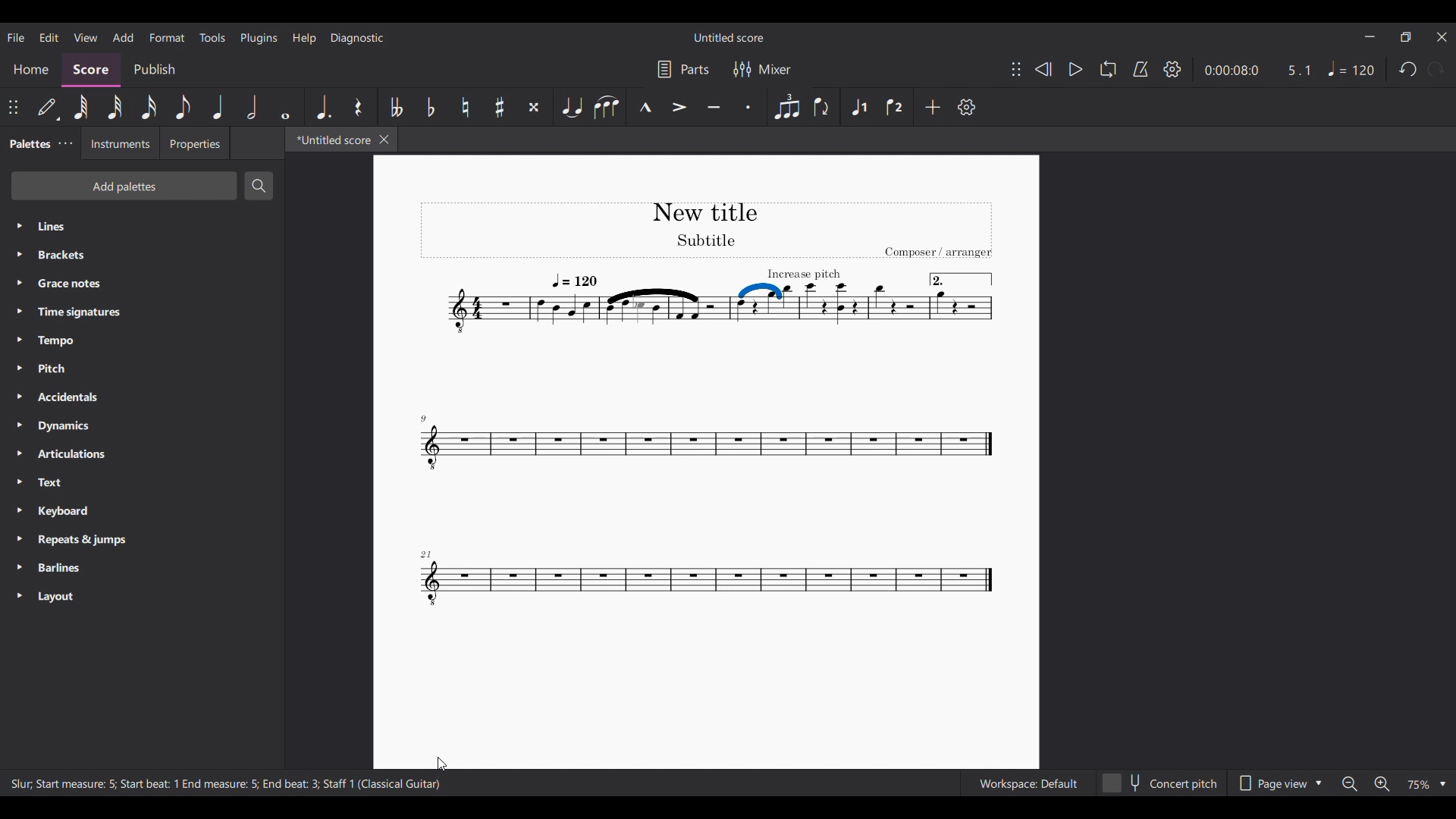  I want to click on Diagnostic menu, so click(357, 39).